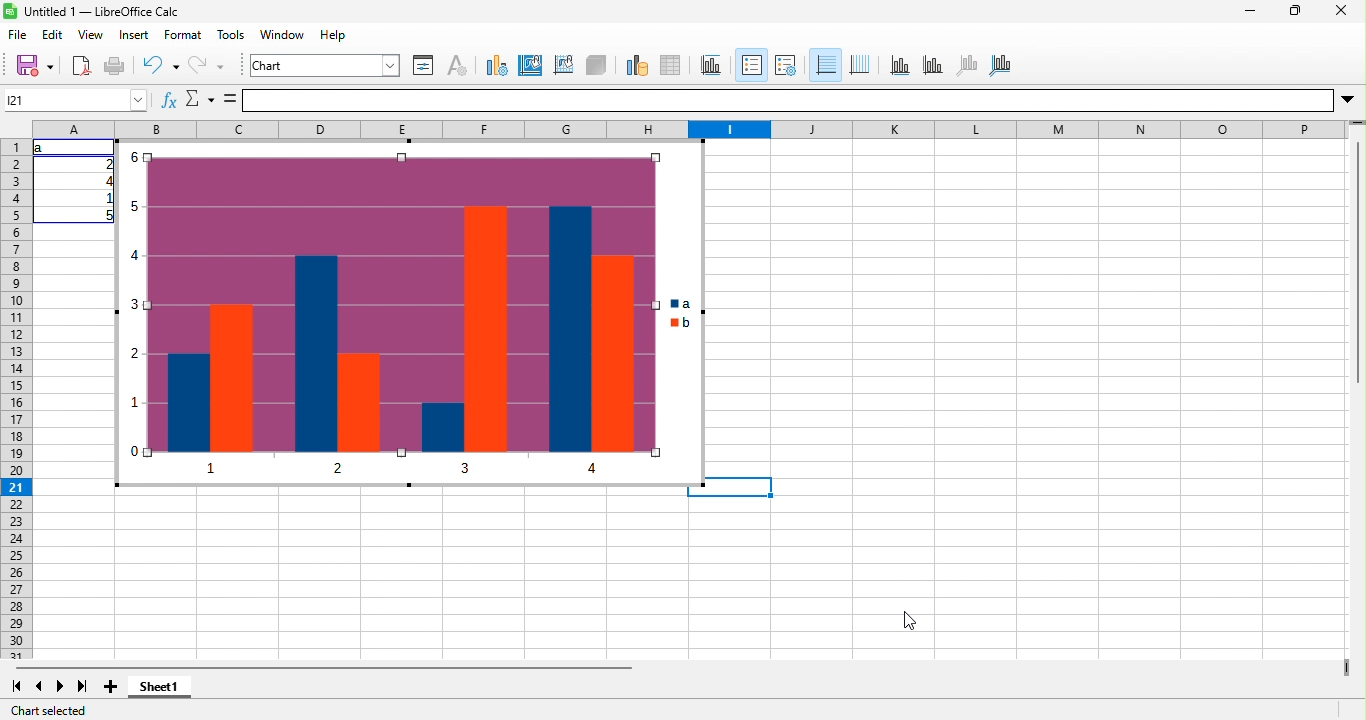  I want to click on first sheet, so click(17, 686).